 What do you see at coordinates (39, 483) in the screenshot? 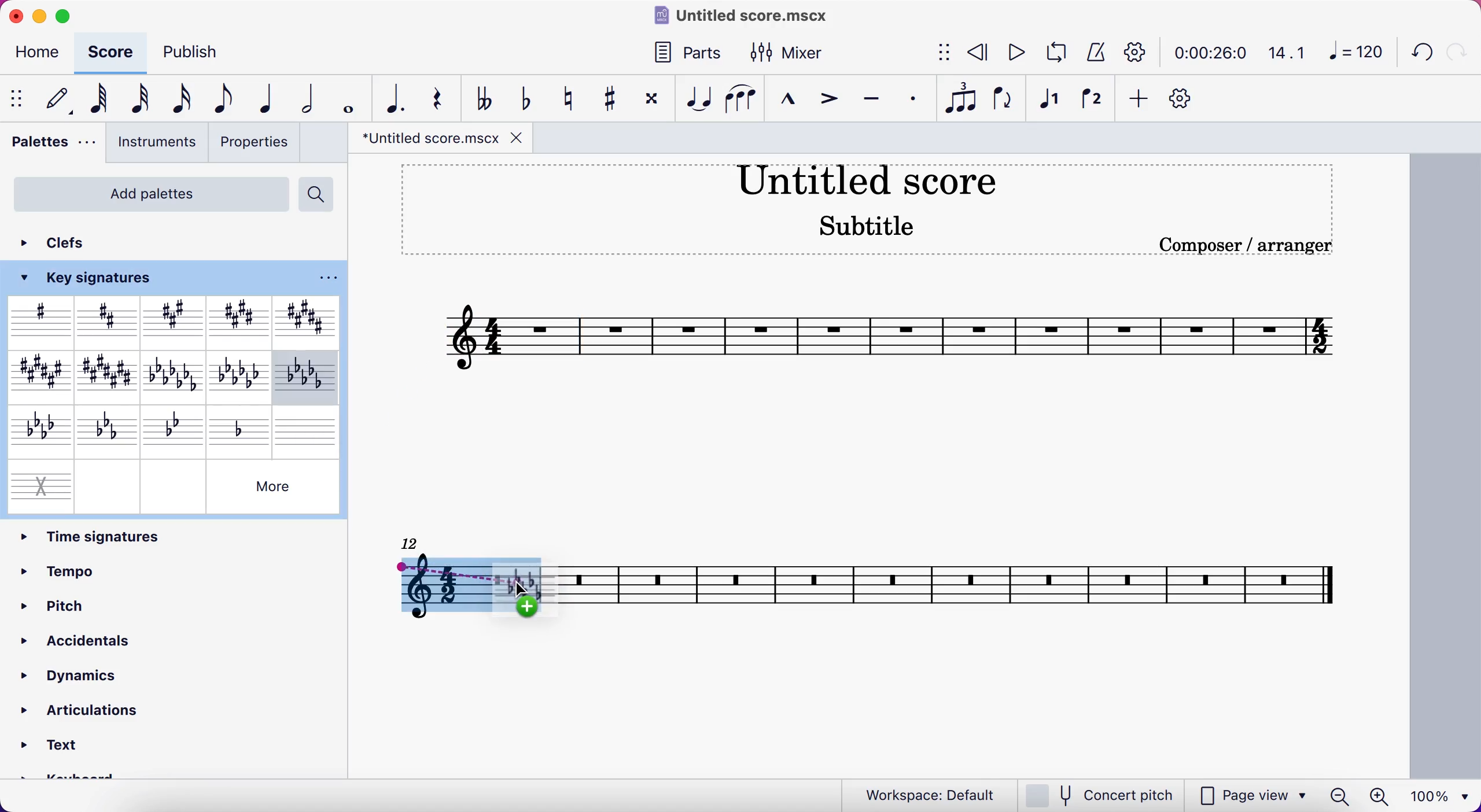
I see `x` at bounding box center [39, 483].